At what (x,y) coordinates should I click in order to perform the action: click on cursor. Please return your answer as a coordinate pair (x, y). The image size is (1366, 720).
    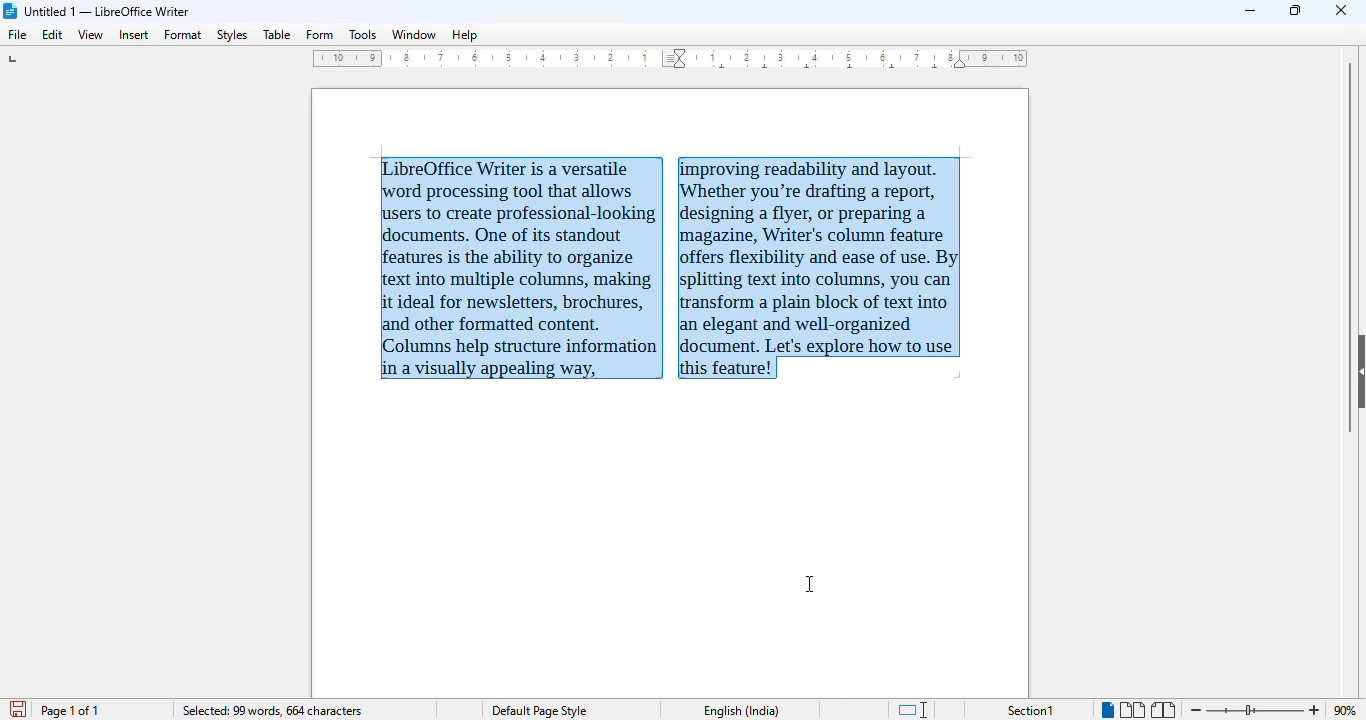
    Looking at the image, I should click on (810, 584).